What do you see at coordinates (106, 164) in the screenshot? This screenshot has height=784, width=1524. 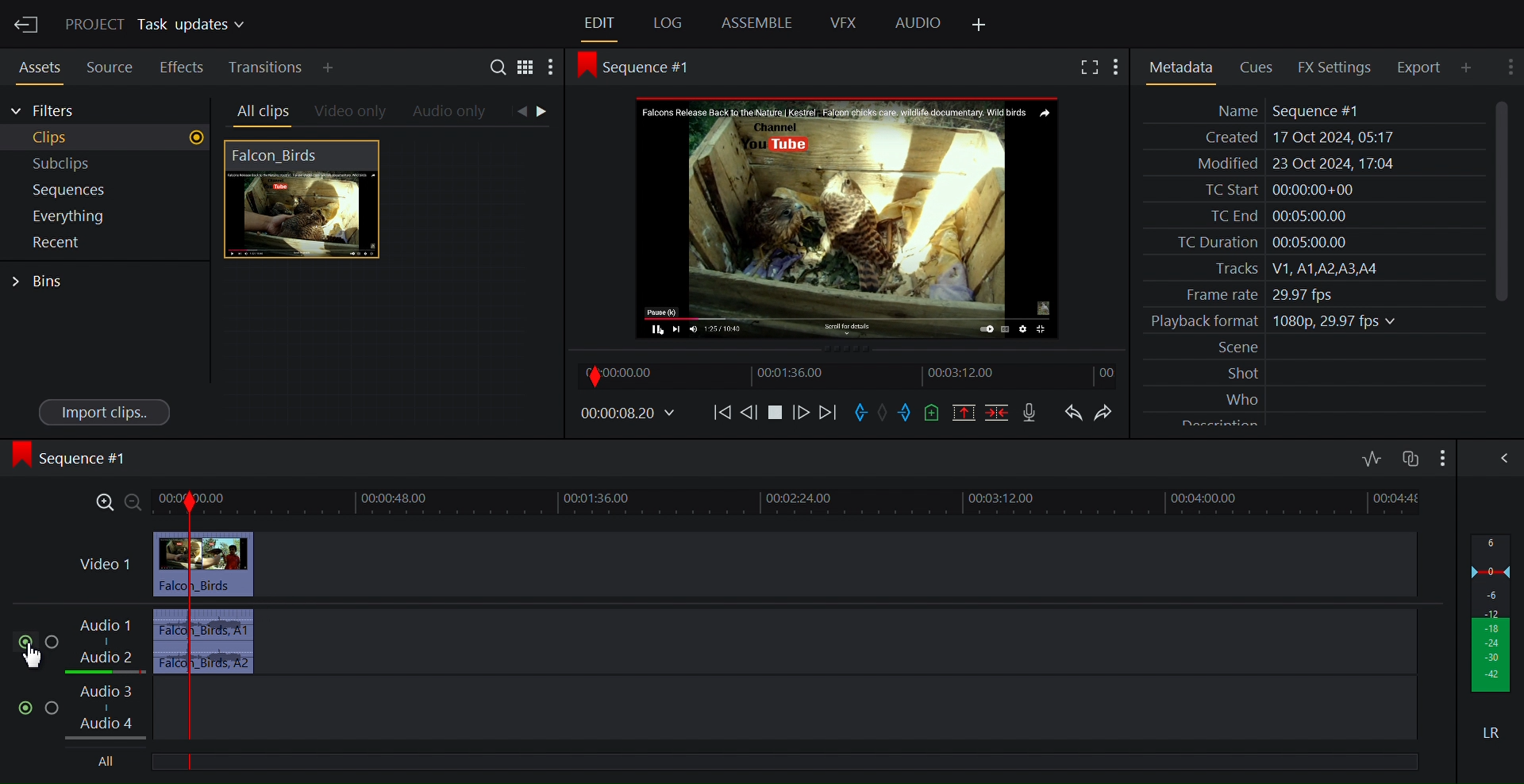 I see `Subclips` at bounding box center [106, 164].